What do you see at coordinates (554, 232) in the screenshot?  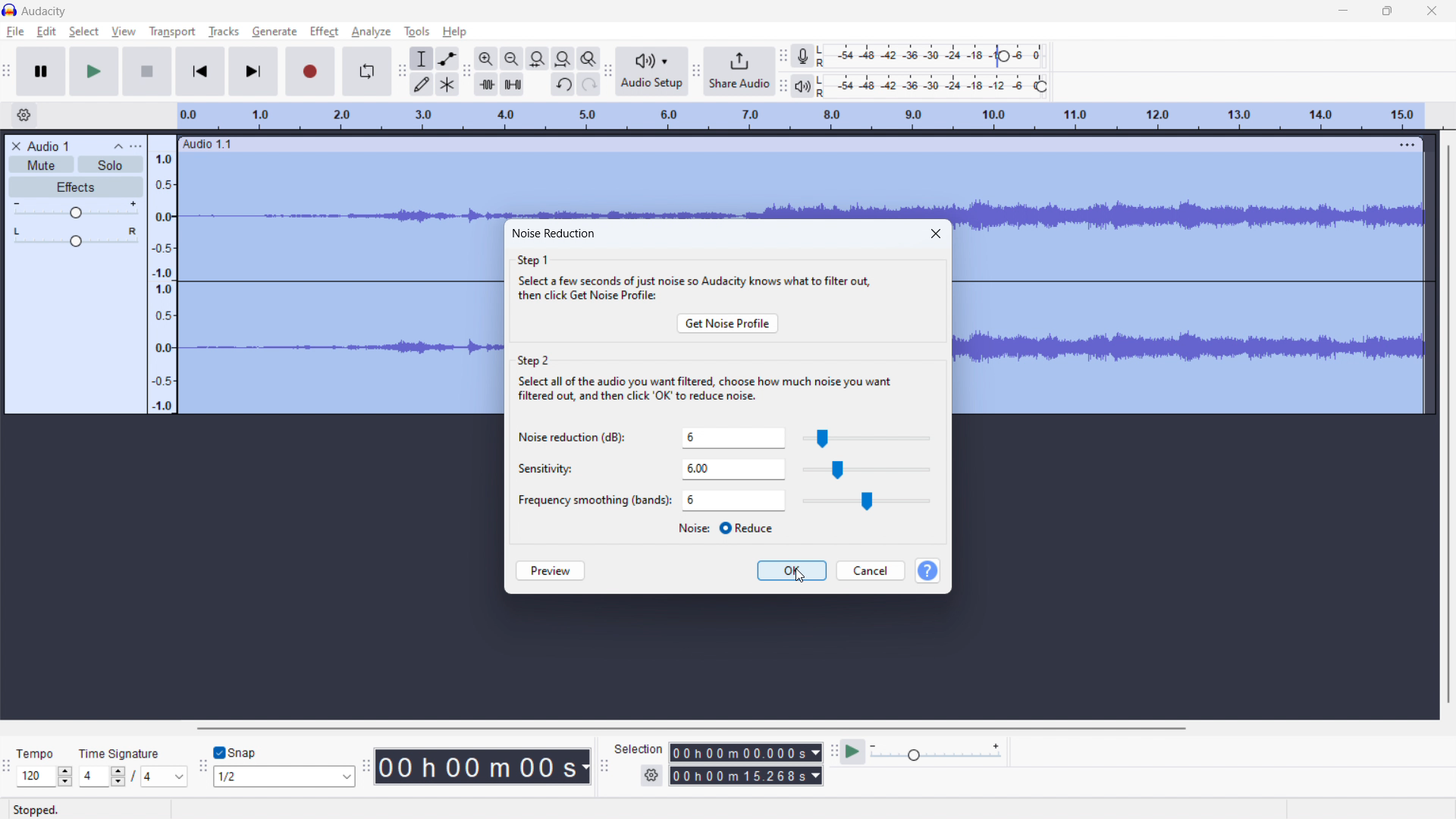 I see `noise reduction dialogbox` at bounding box center [554, 232].